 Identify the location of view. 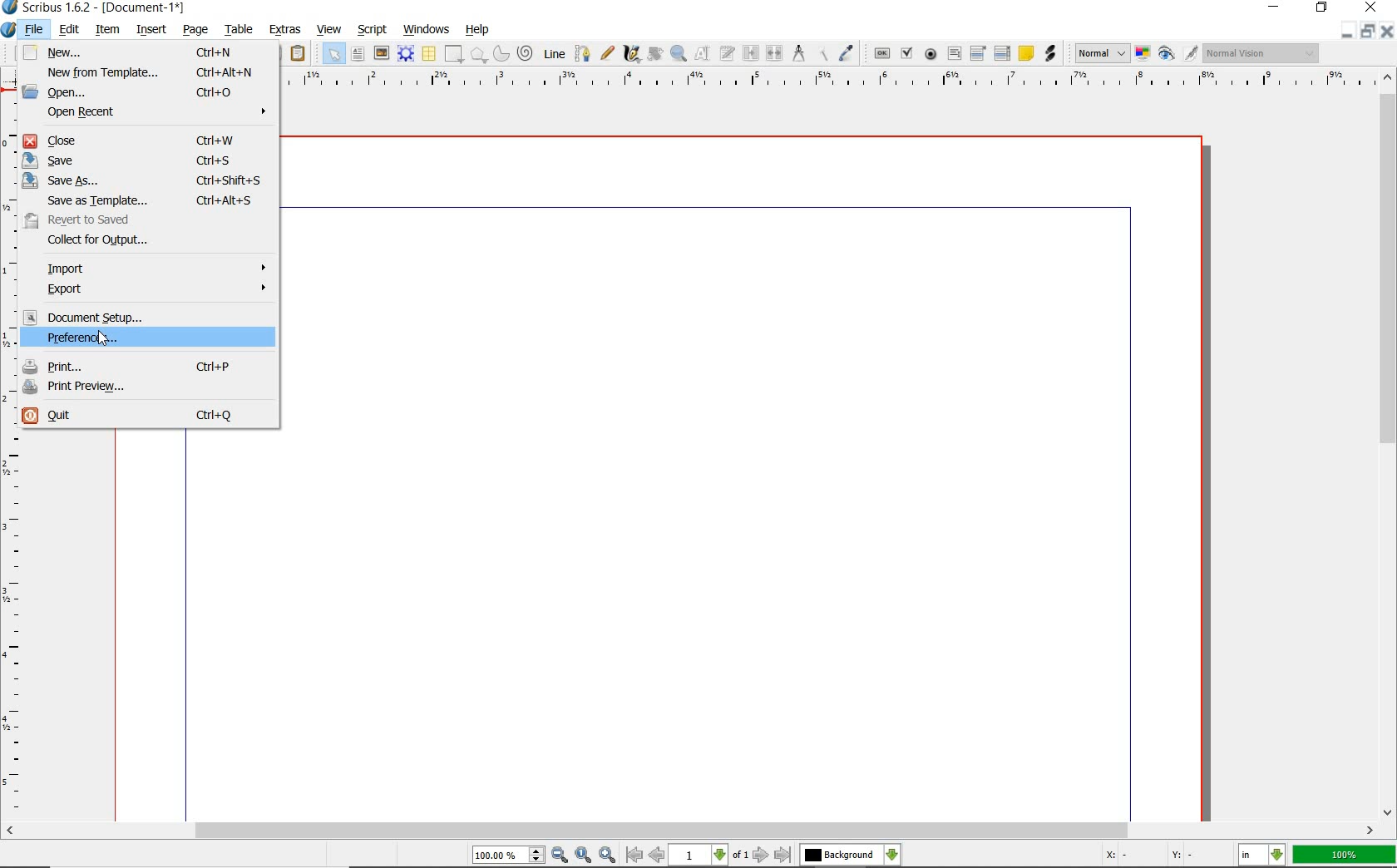
(330, 28).